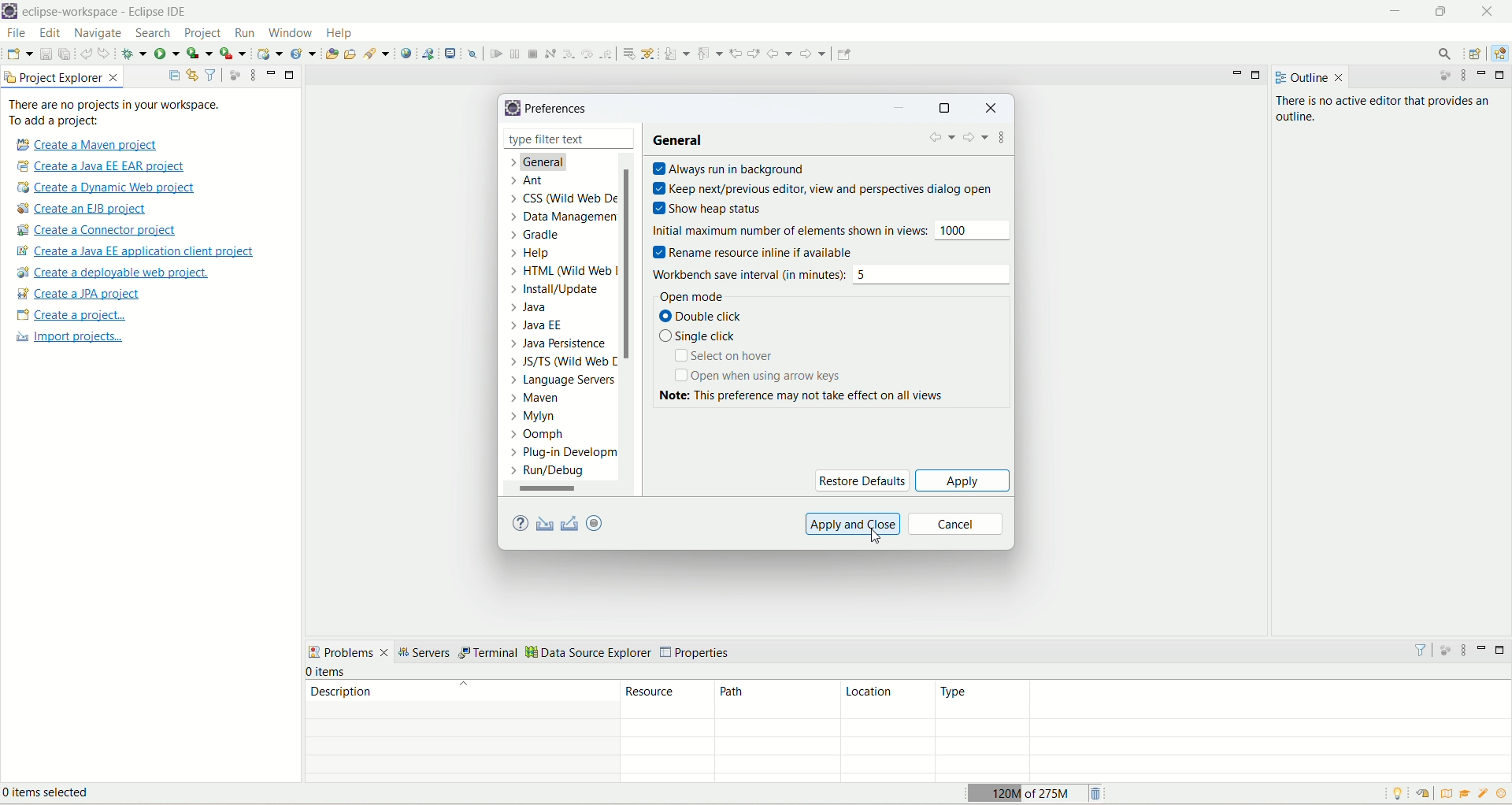  I want to click on step over, so click(586, 54).